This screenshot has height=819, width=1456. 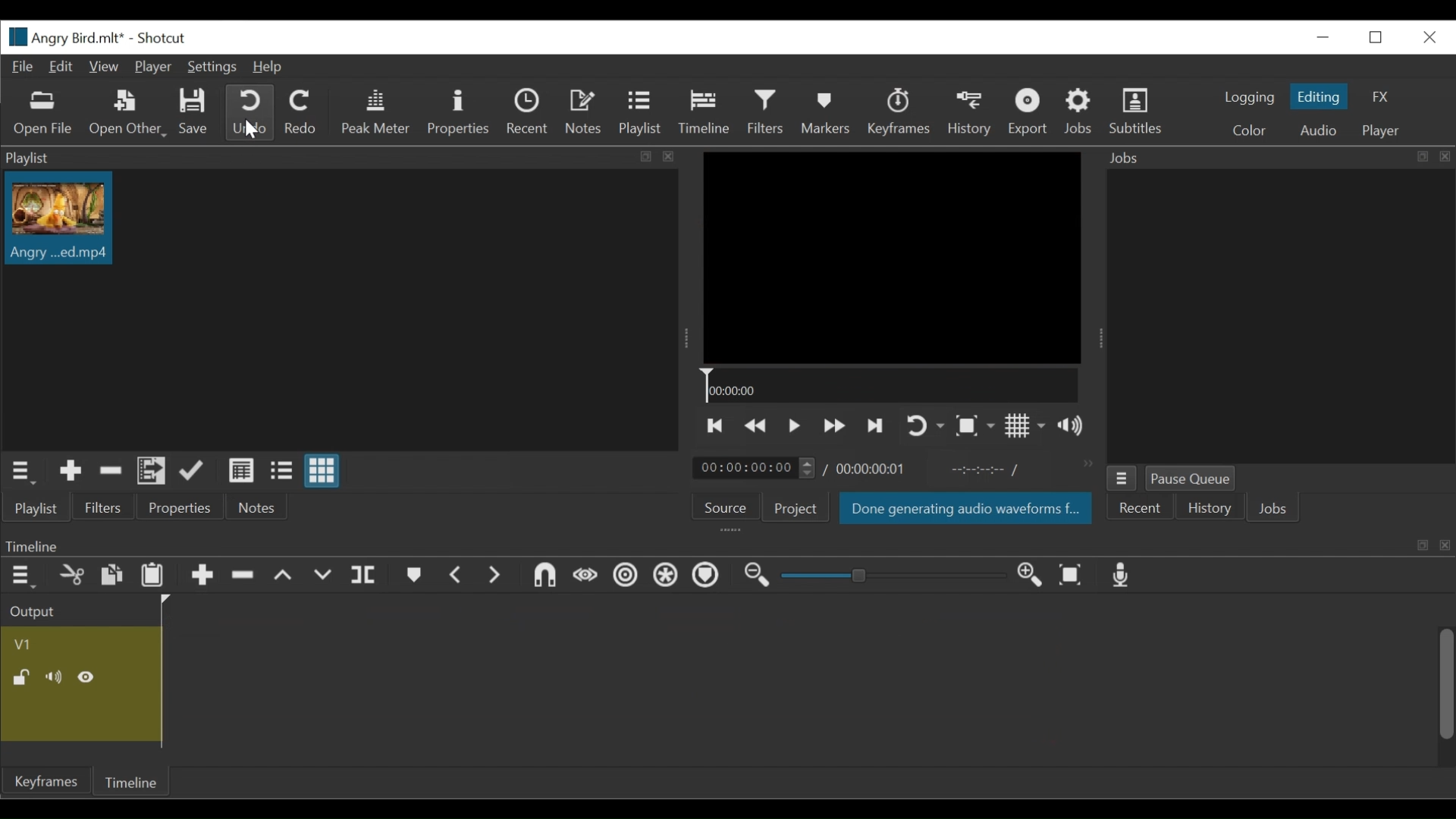 I want to click on Clip , so click(x=58, y=223).